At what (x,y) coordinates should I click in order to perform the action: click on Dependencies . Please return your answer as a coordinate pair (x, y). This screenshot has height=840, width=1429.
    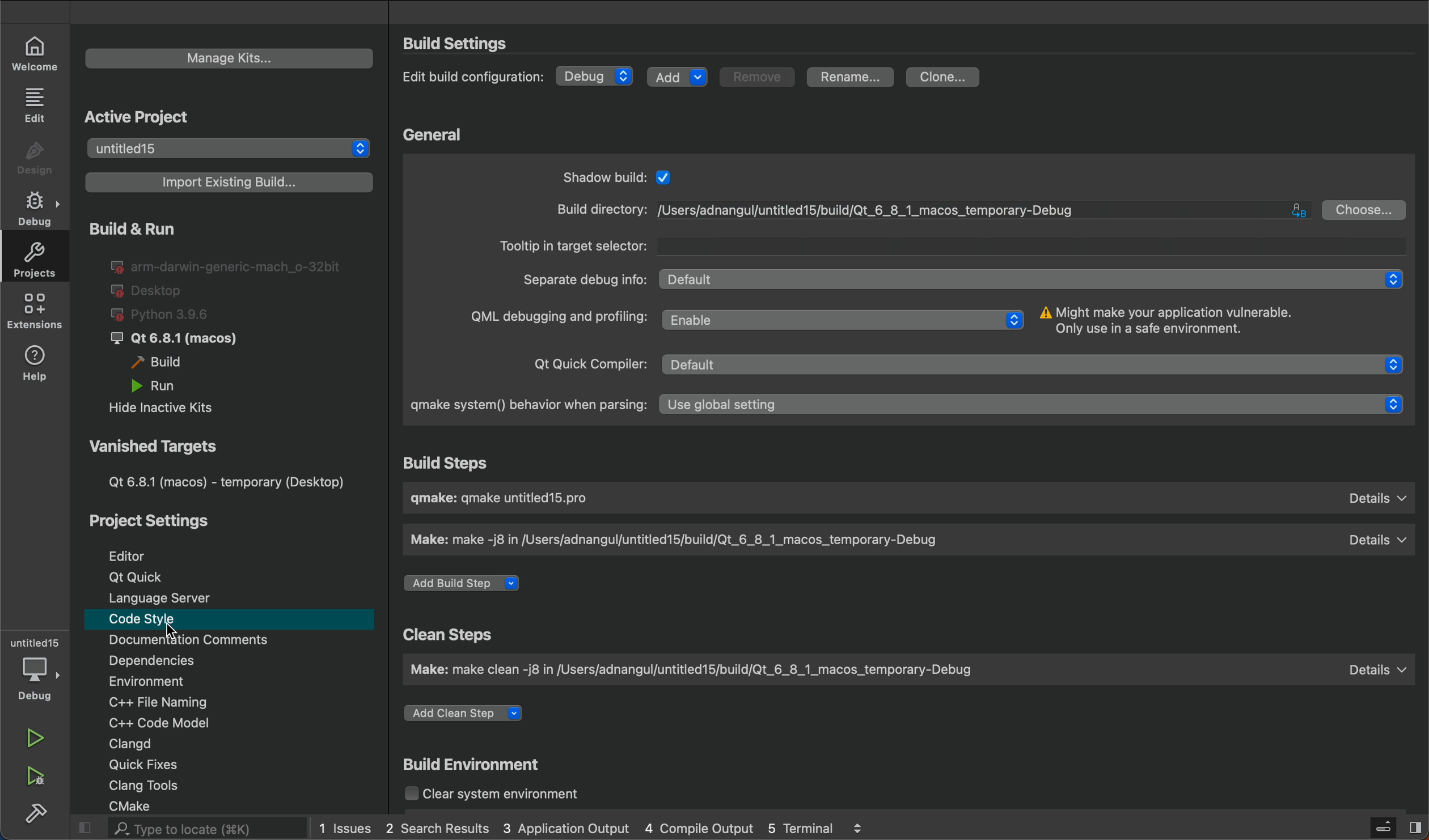
    Looking at the image, I should click on (176, 661).